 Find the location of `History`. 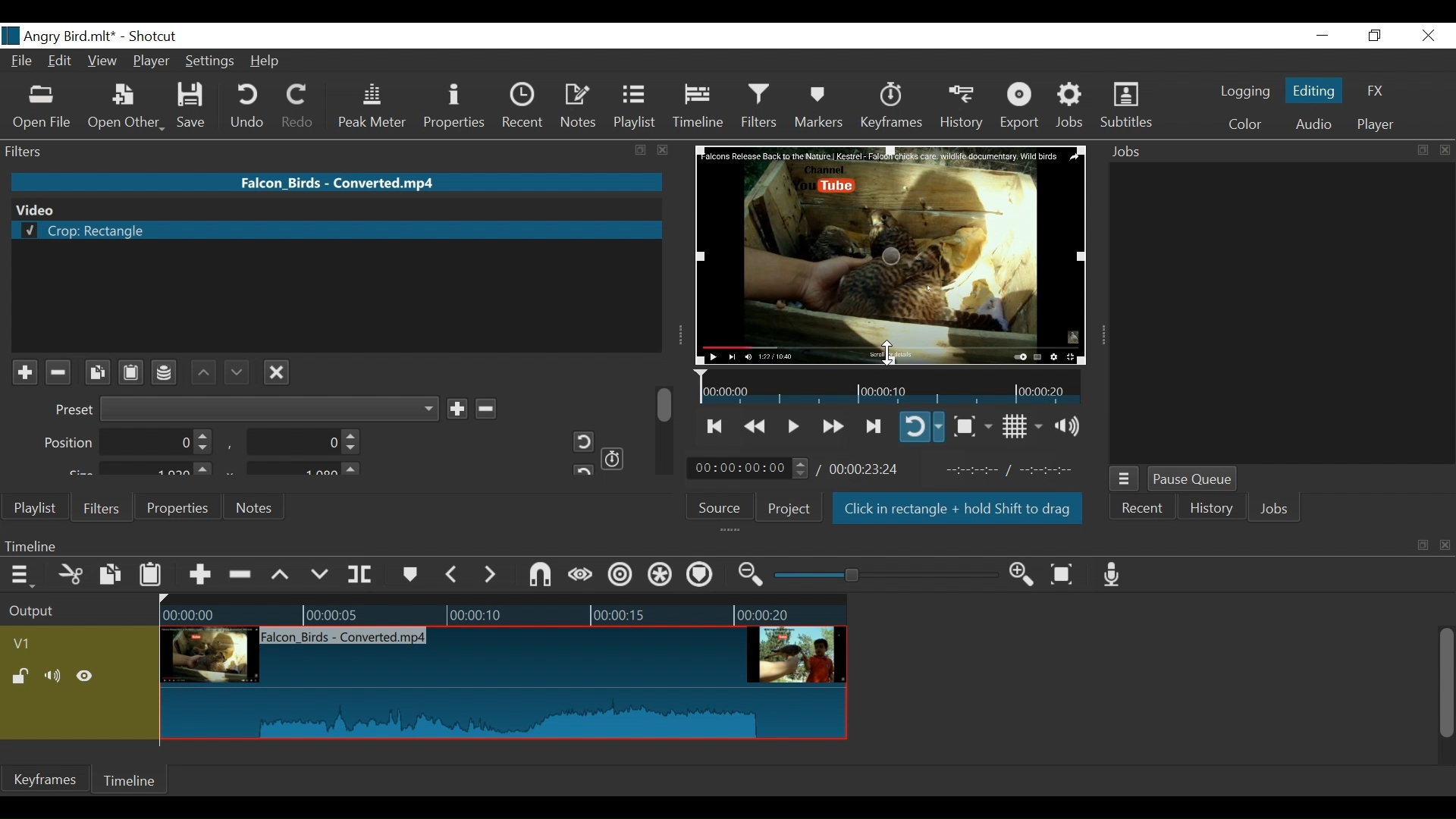

History is located at coordinates (962, 107).